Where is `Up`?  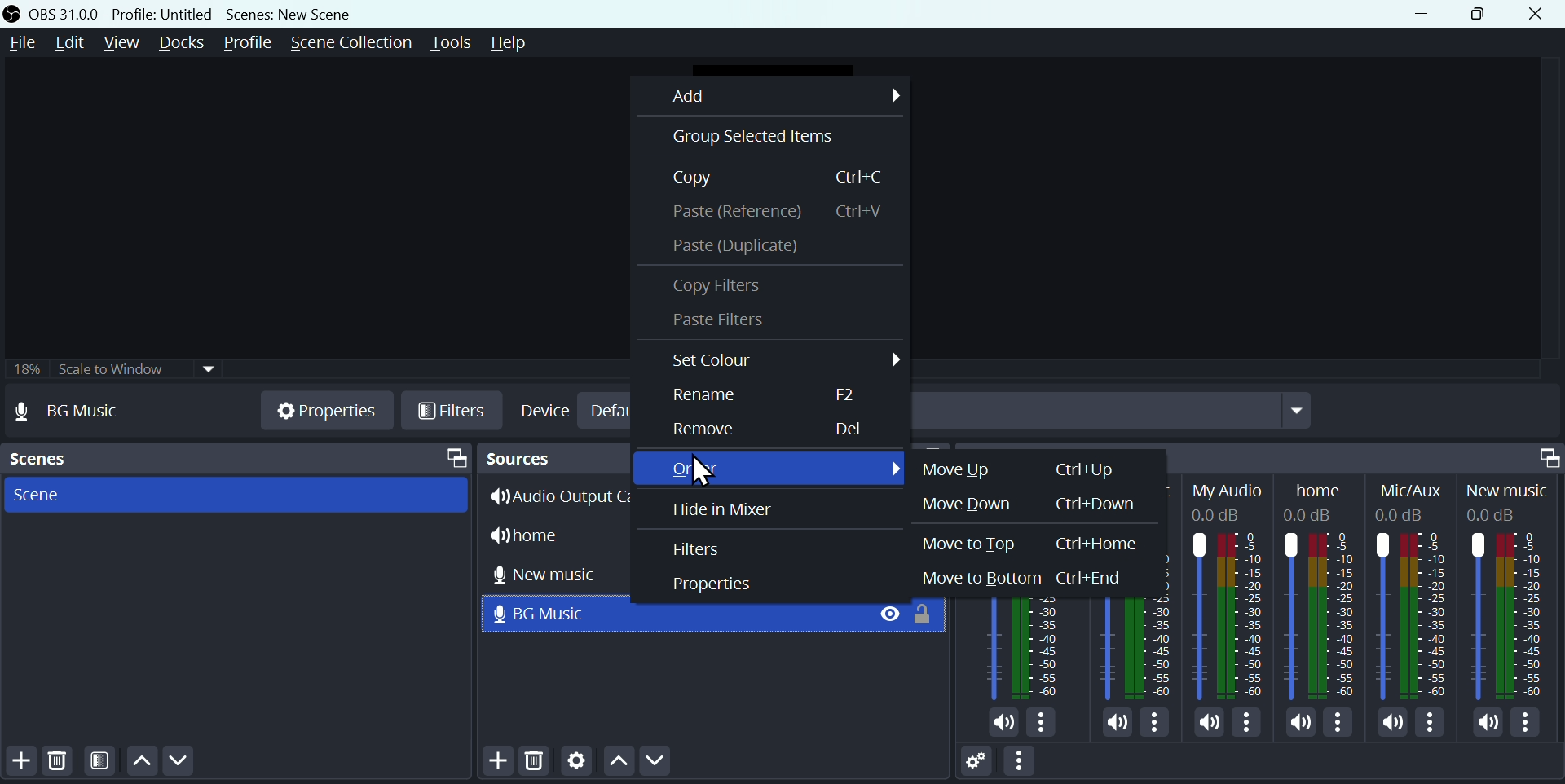
Up is located at coordinates (147, 764).